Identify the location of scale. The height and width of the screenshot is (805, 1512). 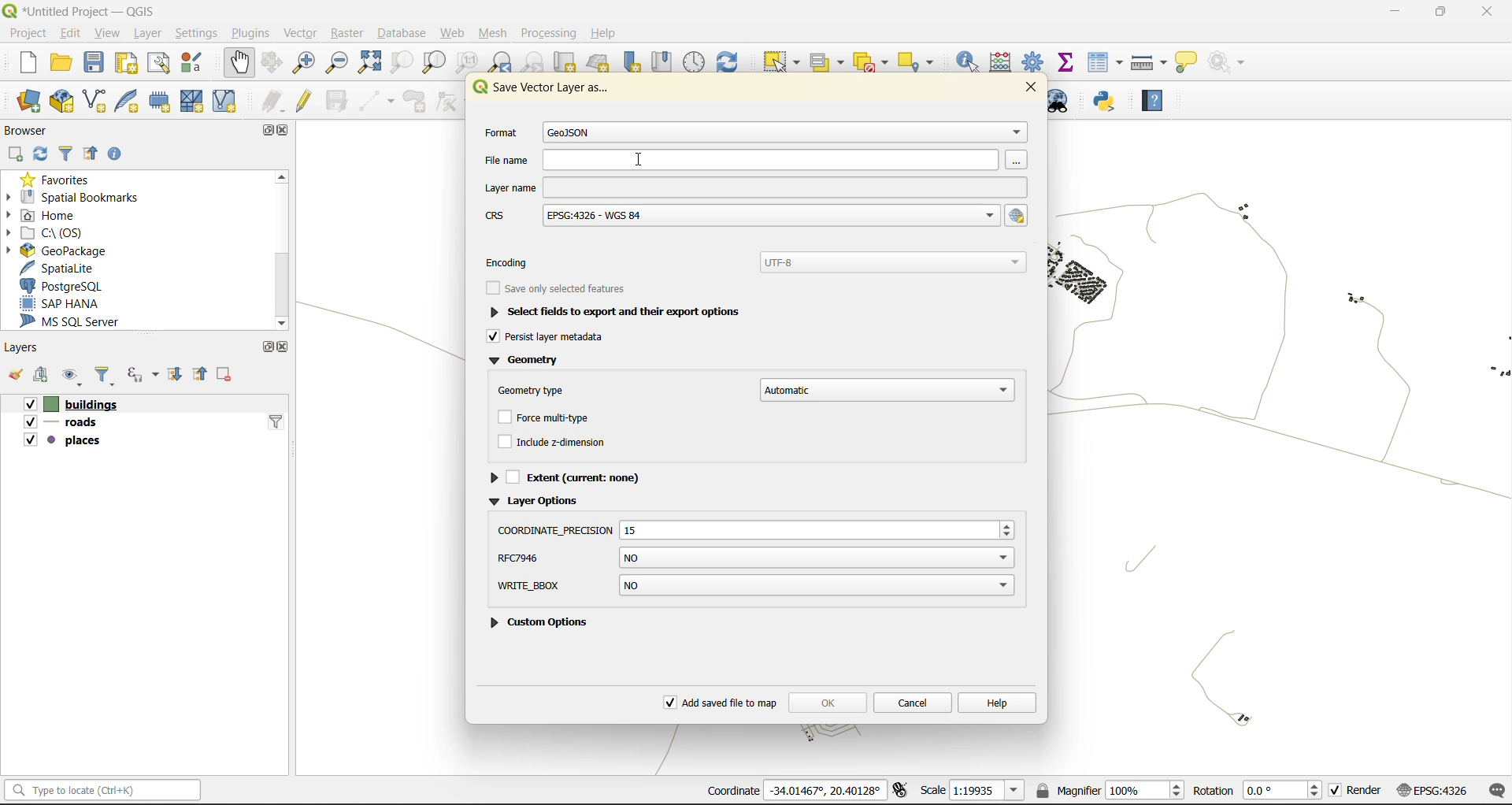
(973, 791).